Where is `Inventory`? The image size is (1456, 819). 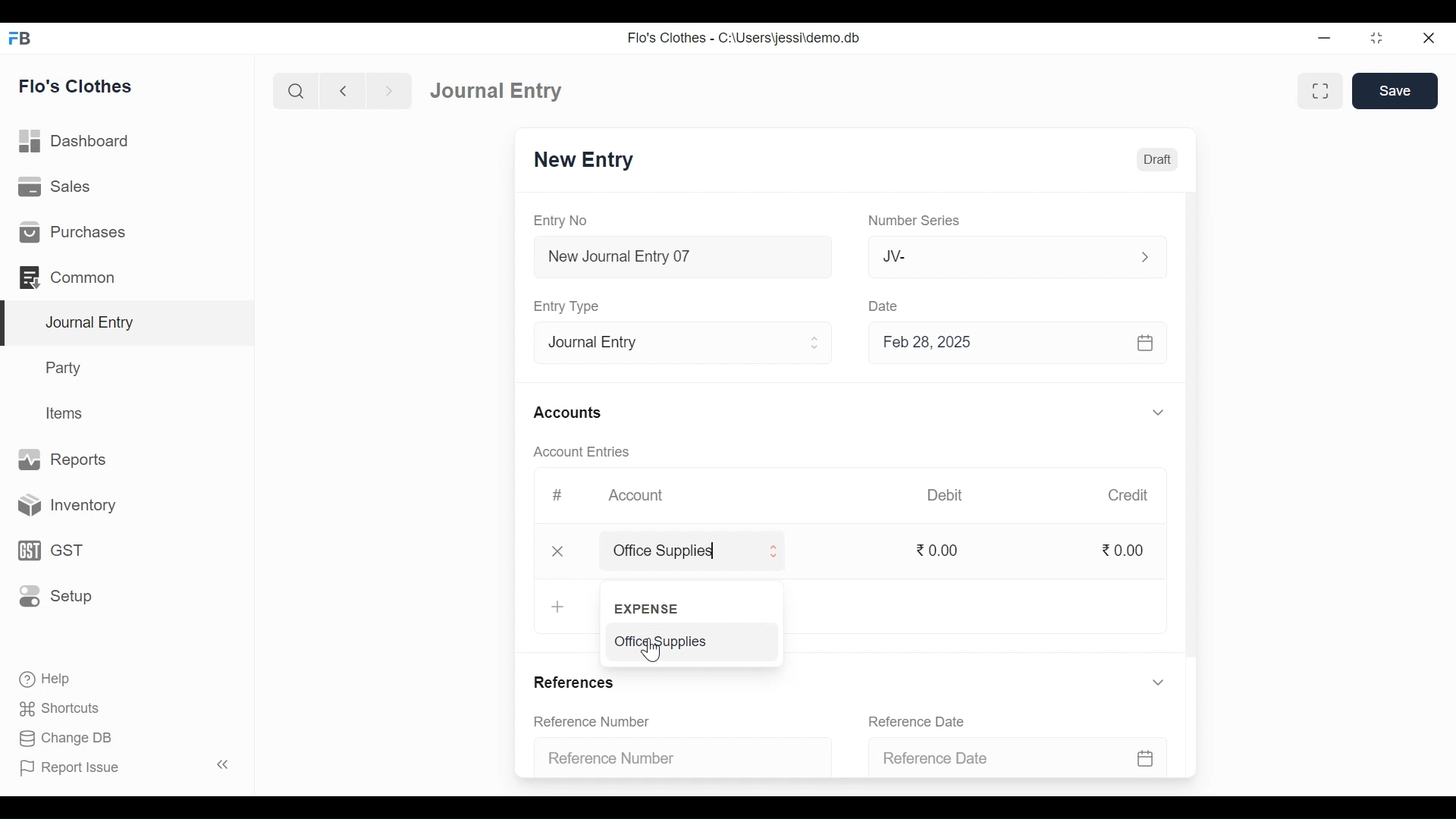 Inventory is located at coordinates (61, 507).